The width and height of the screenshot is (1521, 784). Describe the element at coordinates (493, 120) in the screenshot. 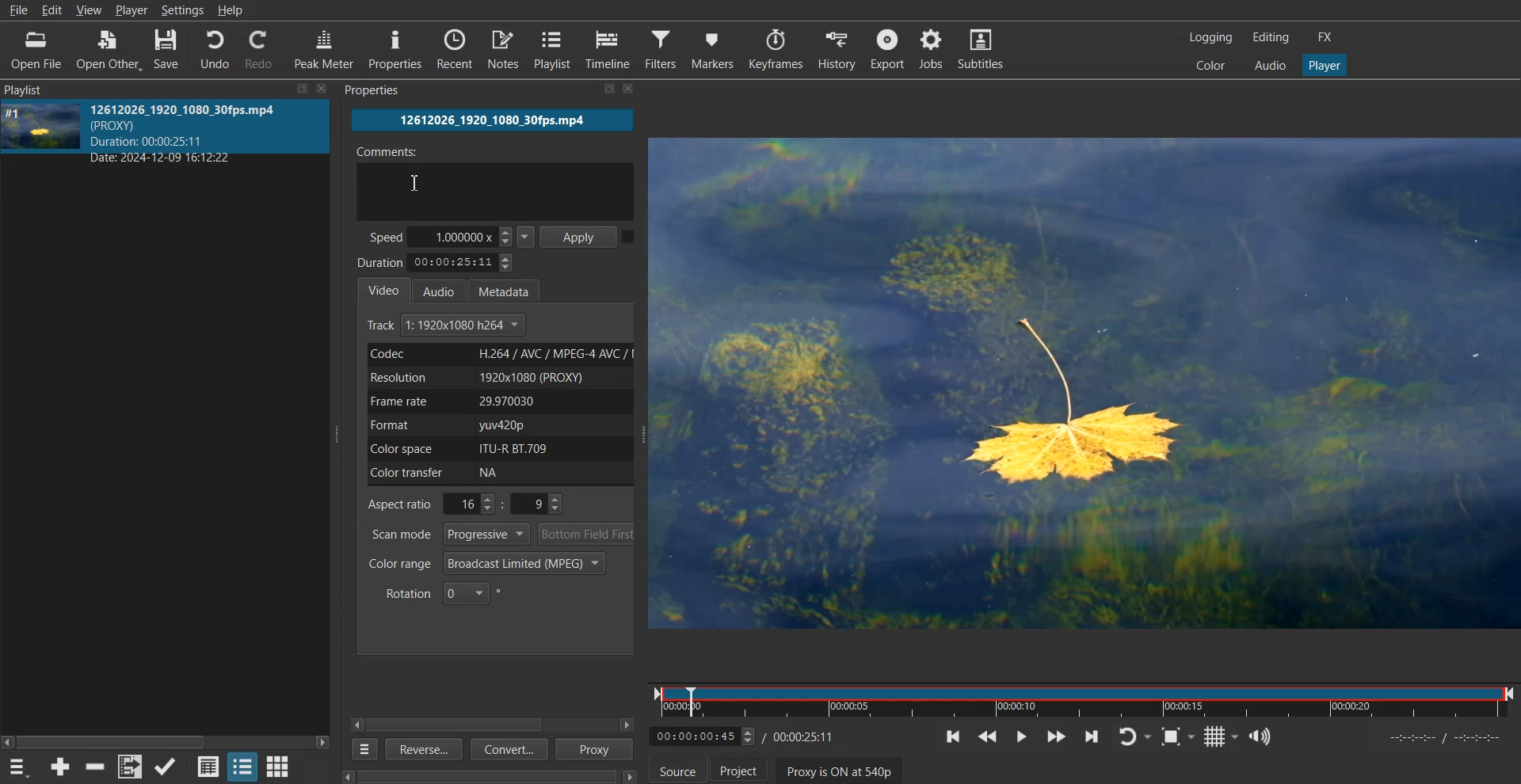

I see `File Name` at that location.